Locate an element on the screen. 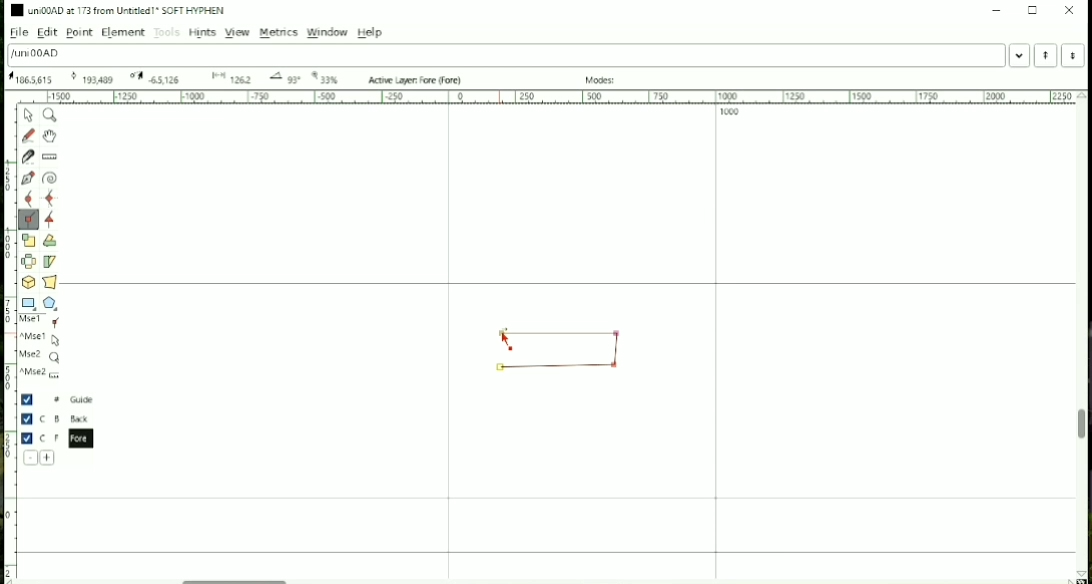  Delete the current layer is located at coordinates (31, 458).